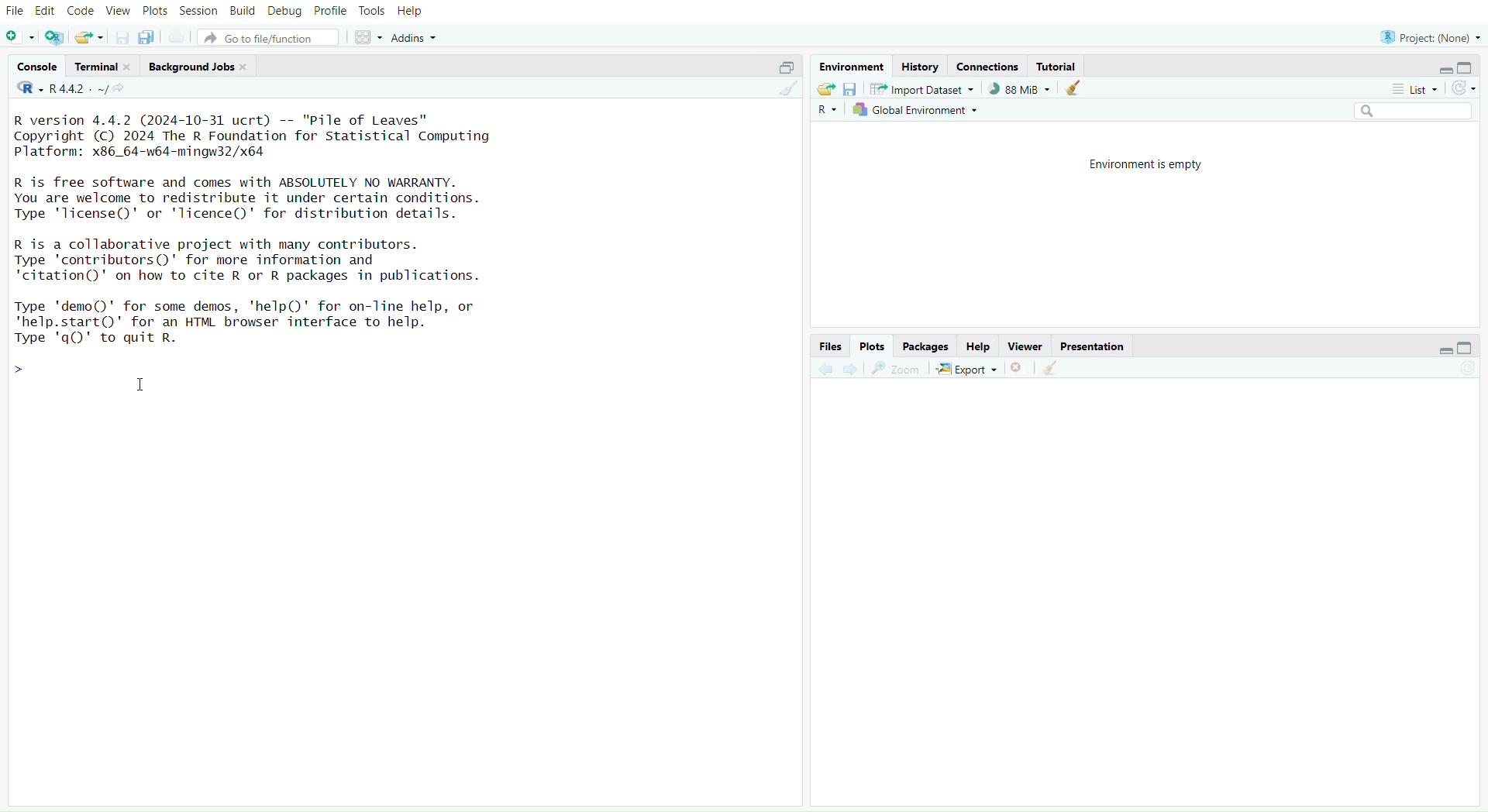 This screenshot has height=812, width=1488. What do you see at coordinates (852, 370) in the screenshot?
I see `forward` at bounding box center [852, 370].